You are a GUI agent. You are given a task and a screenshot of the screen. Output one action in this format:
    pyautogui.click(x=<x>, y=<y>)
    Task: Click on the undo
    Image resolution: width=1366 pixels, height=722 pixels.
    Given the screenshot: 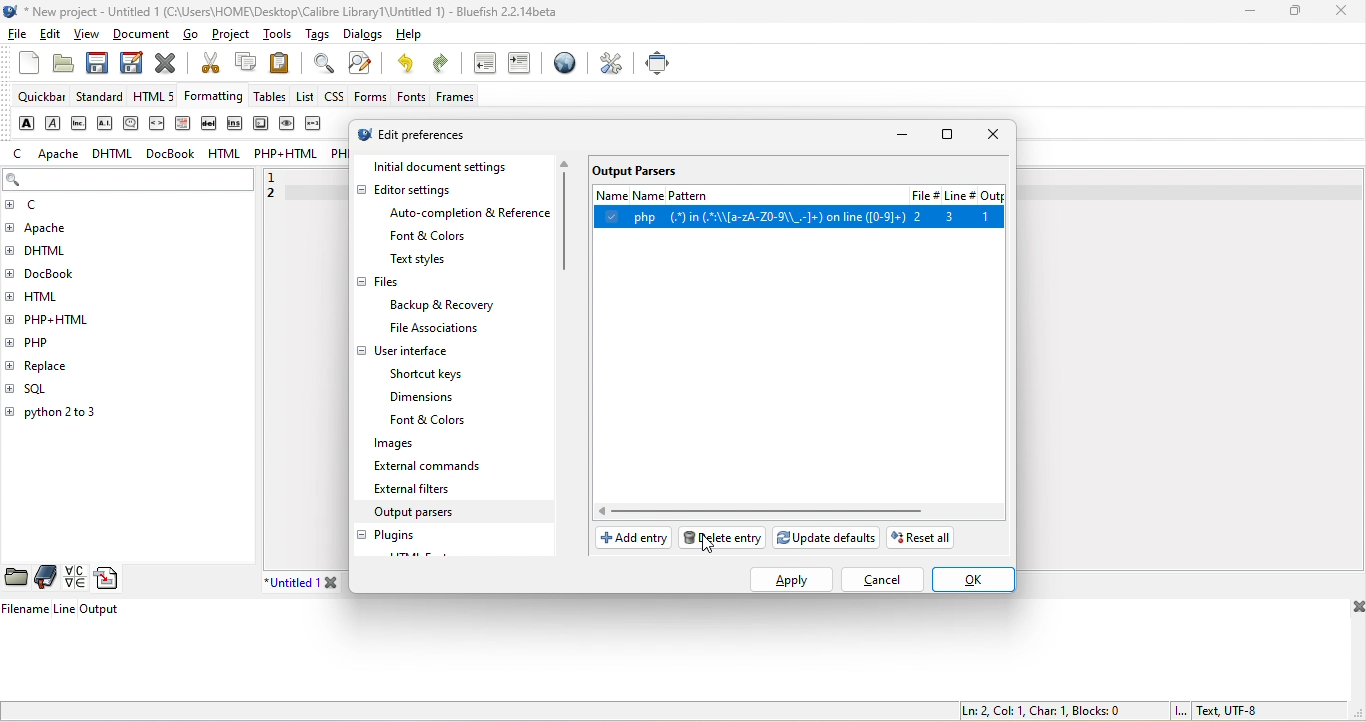 What is the action you would take?
    pyautogui.click(x=409, y=65)
    